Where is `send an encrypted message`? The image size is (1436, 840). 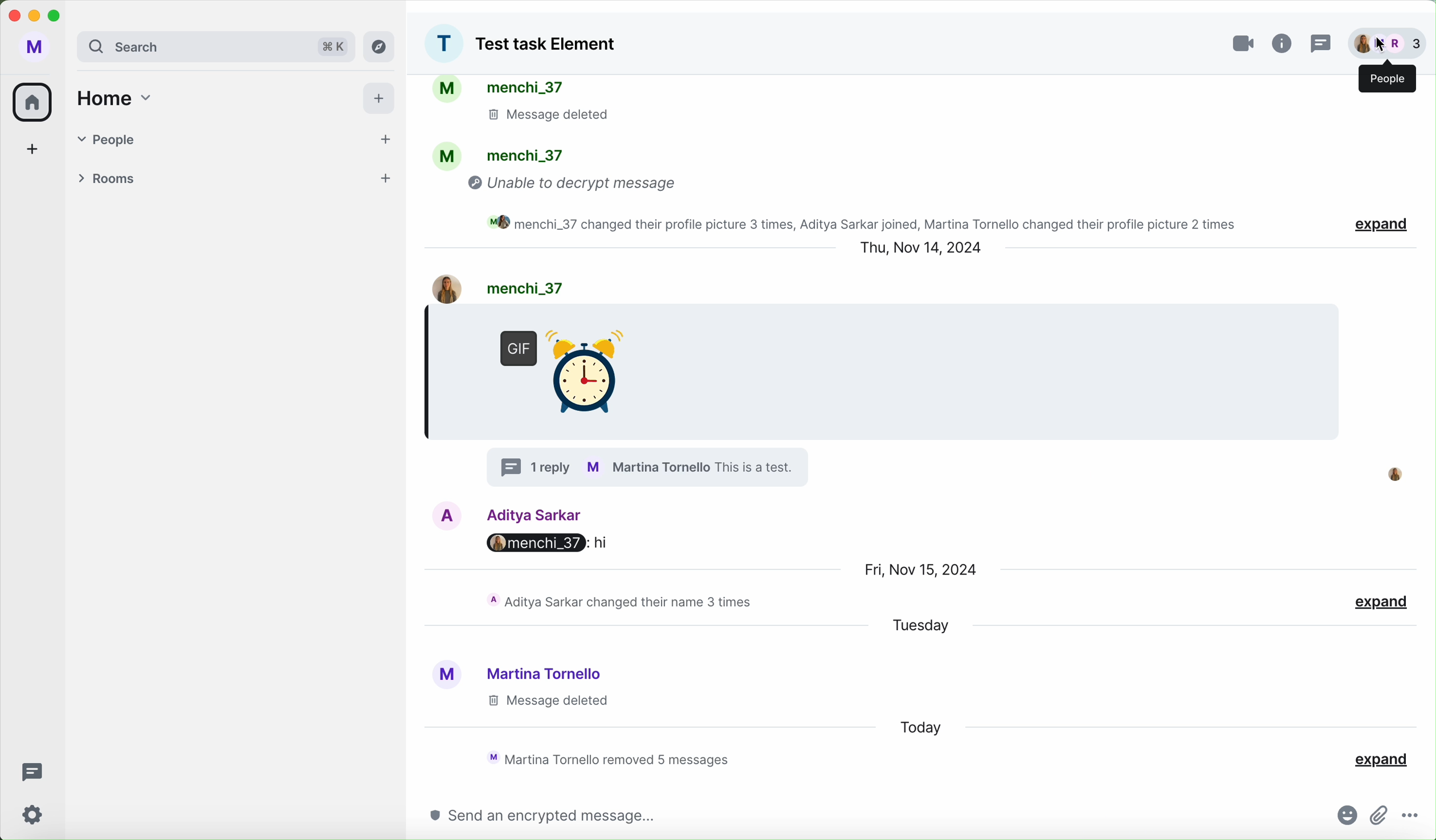
send an encrypted message is located at coordinates (534, 816).